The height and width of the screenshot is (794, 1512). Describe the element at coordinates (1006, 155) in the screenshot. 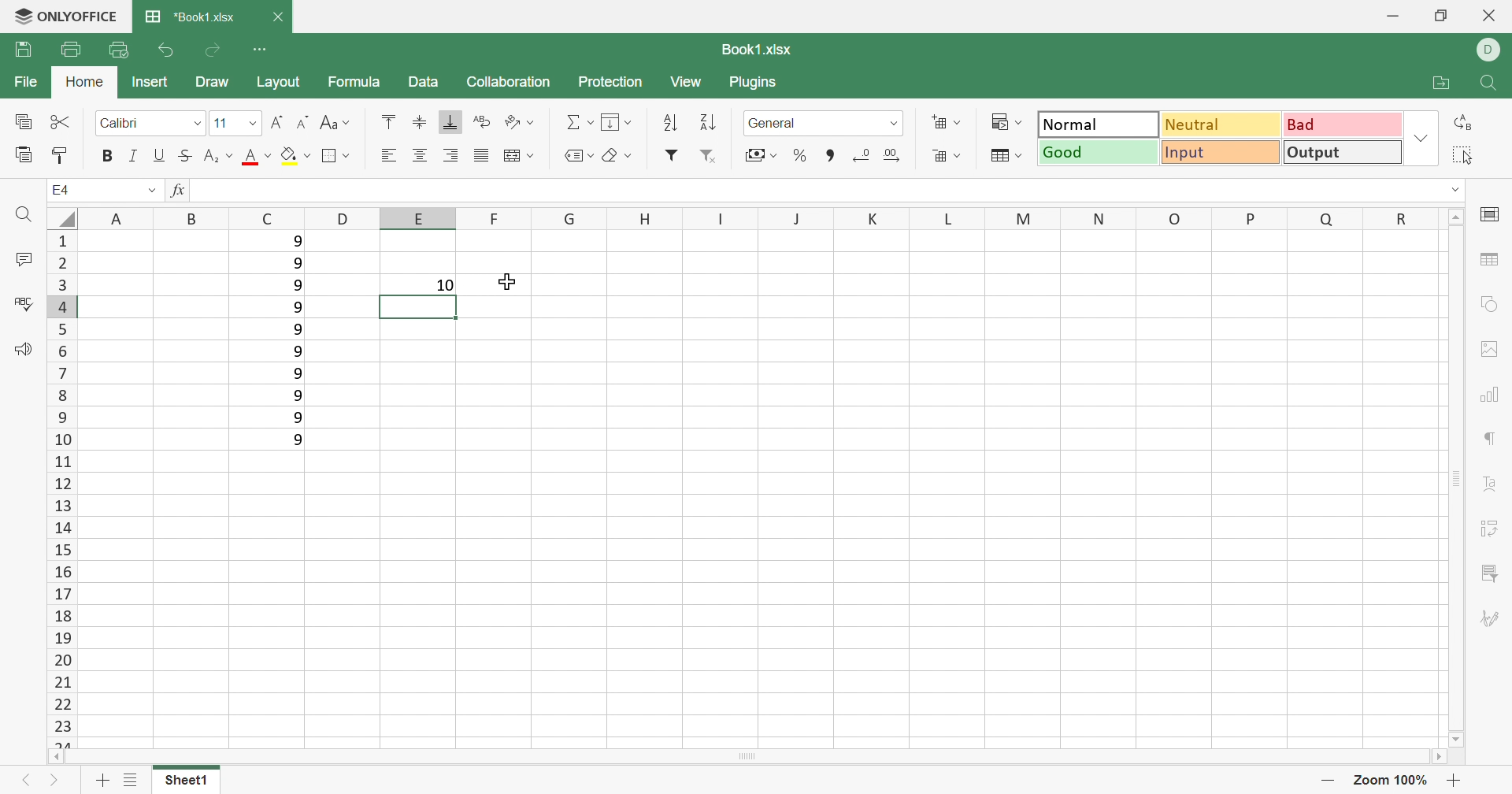

I see `Format table as template` at that location.